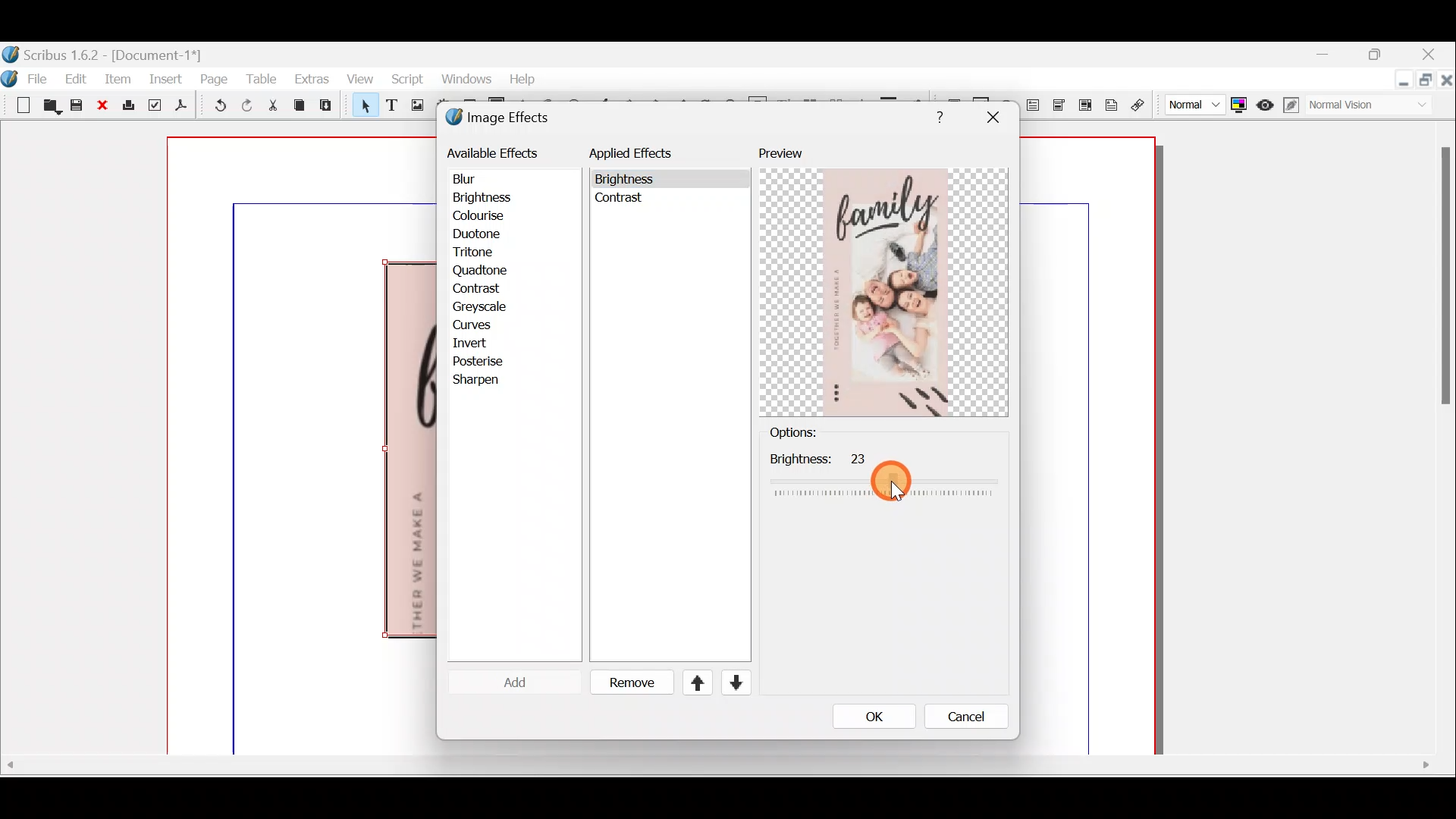 This screenshot has width=1456, height=819. What do you see at coordinates (261, 77) in the screenshot?
I see `Table` at bounding box center [261, 77].